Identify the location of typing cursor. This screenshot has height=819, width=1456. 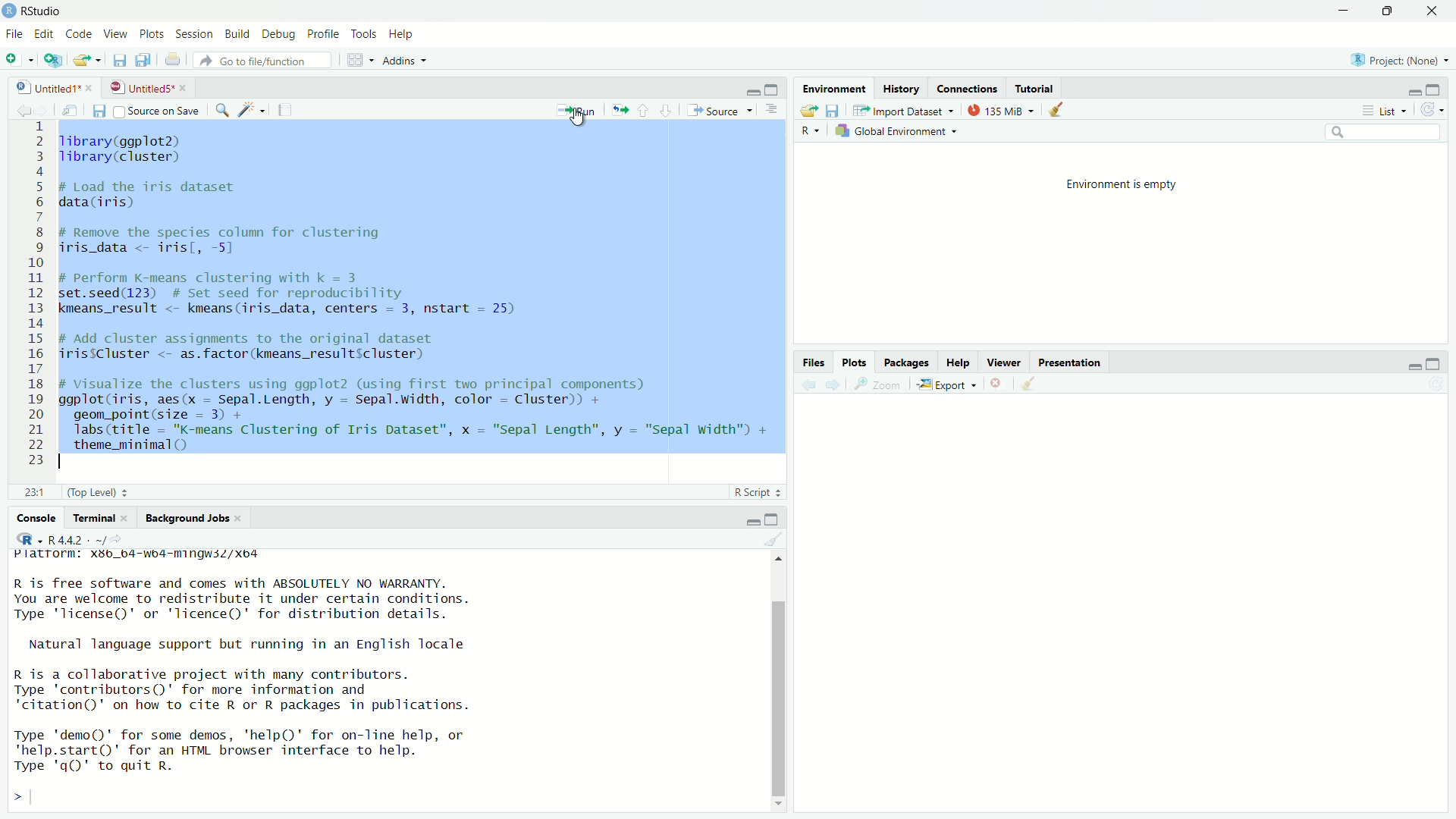
(41, 799).